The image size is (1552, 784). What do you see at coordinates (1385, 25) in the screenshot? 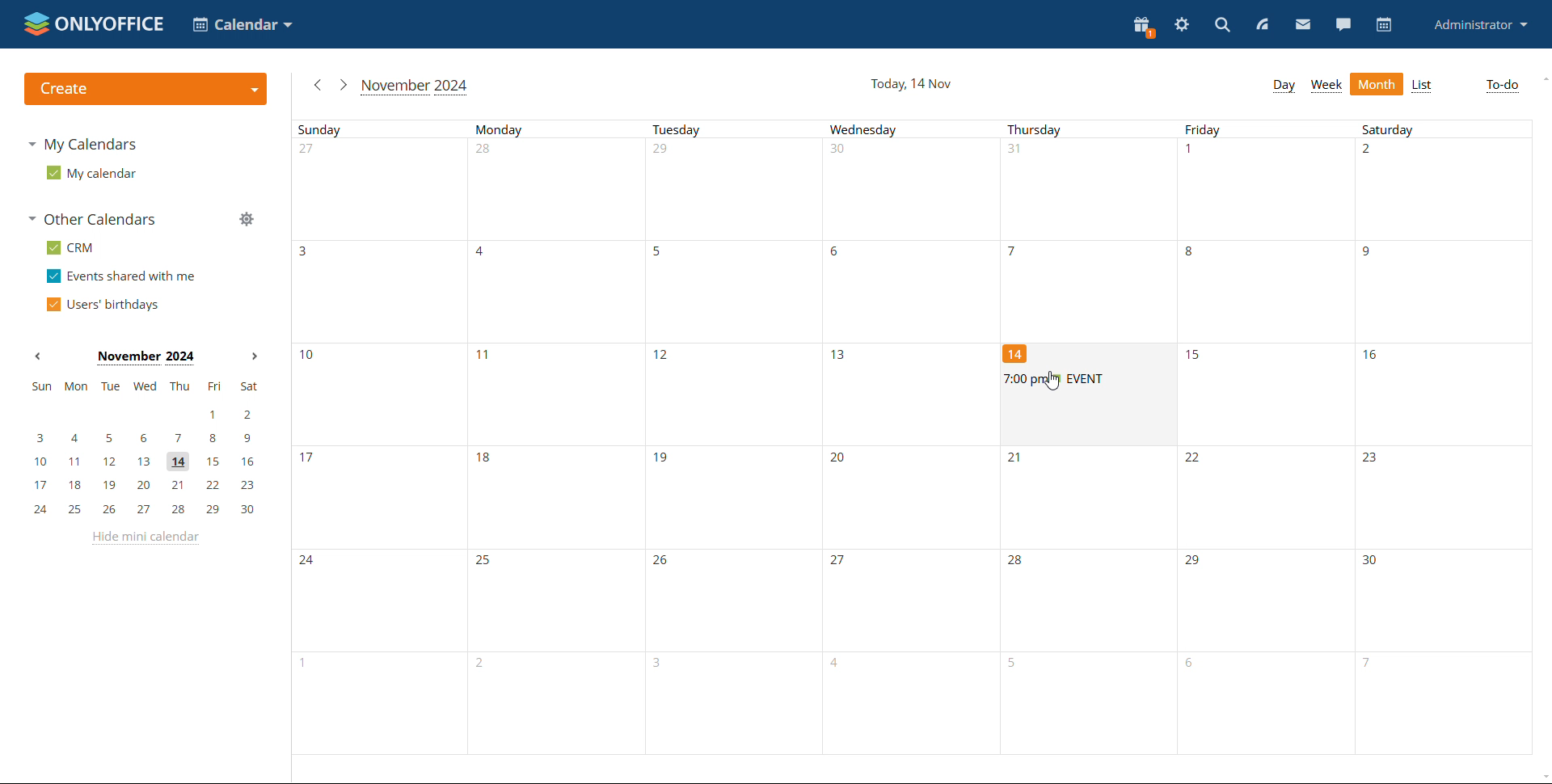
I see `calendar` at bounding box center [1385, 25].